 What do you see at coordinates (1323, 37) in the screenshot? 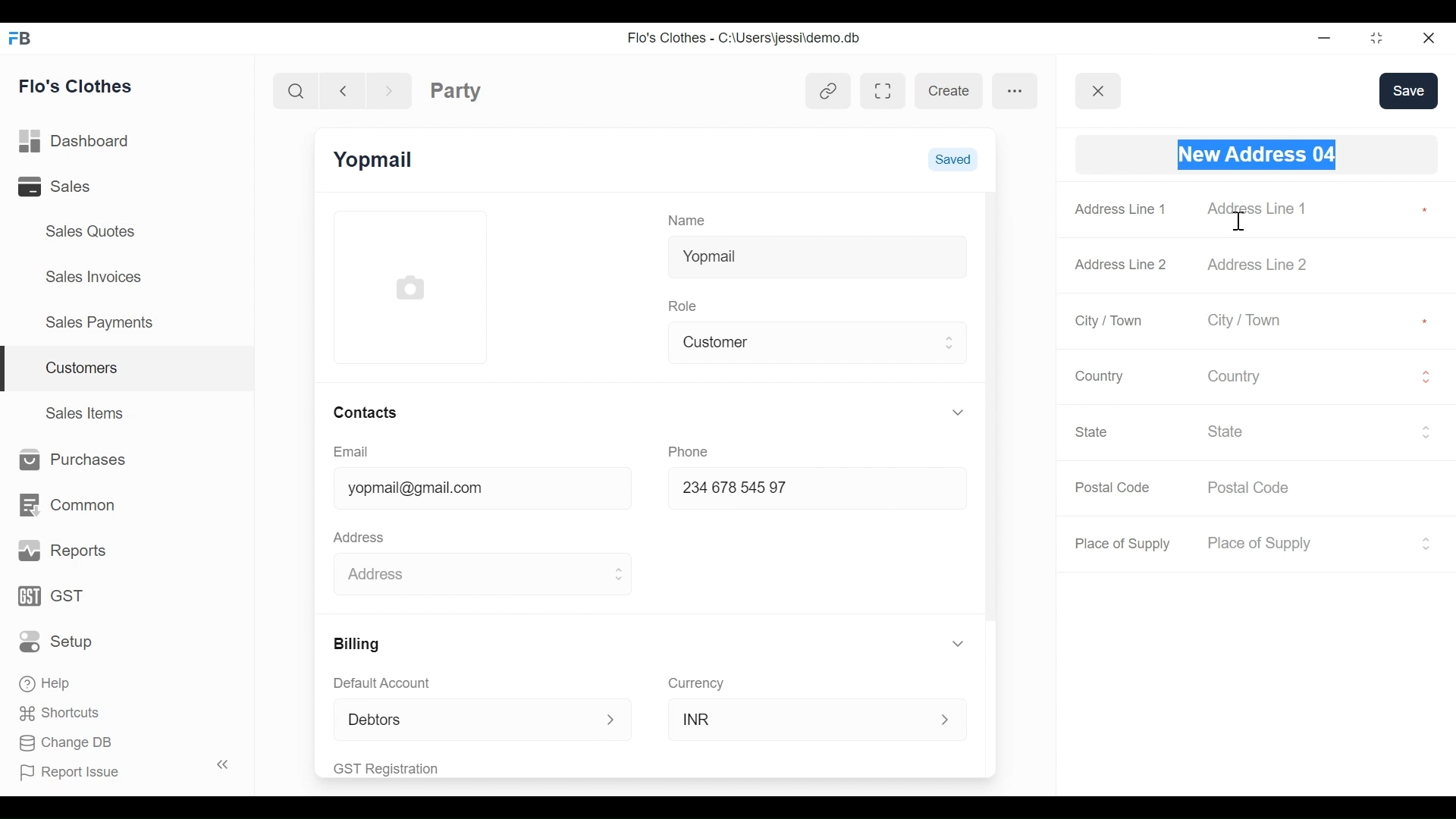
I see `minimize` at bounding box center [1323, 37].